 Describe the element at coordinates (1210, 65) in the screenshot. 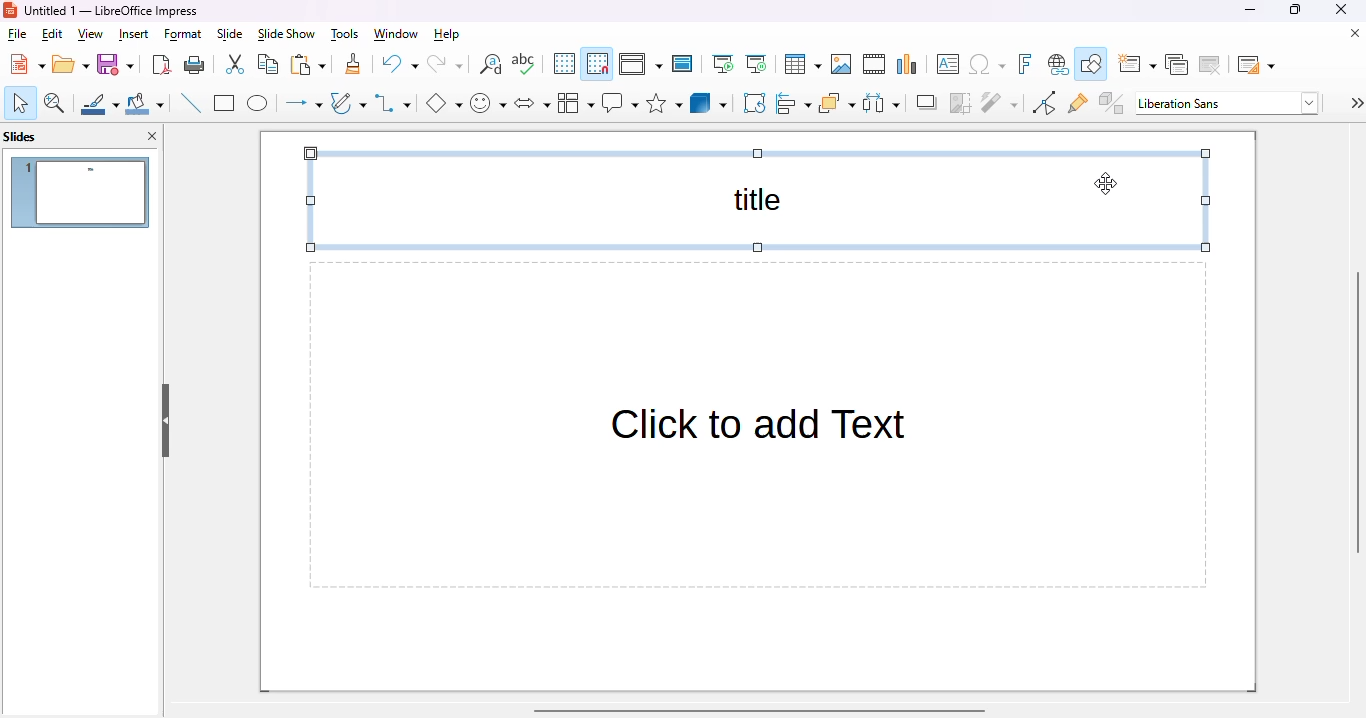

I see `delete slide` at that location.